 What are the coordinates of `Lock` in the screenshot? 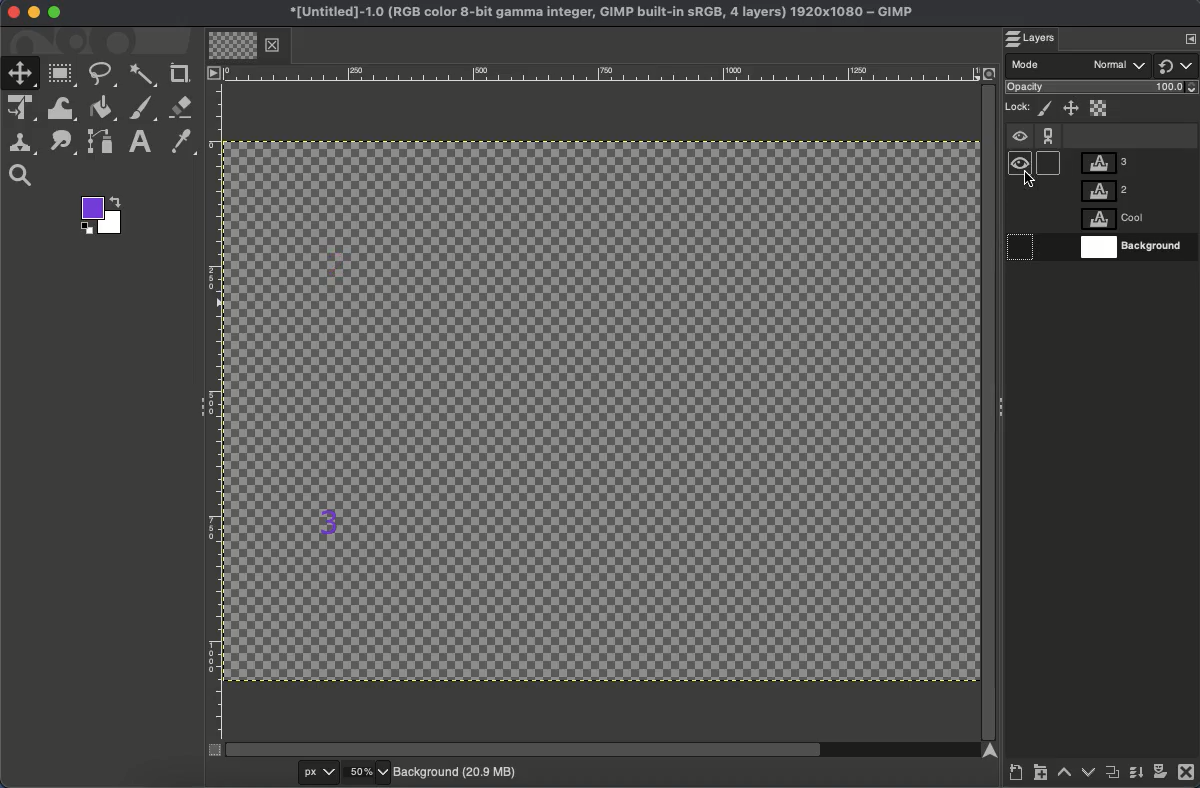 It's located at (1019, 105).